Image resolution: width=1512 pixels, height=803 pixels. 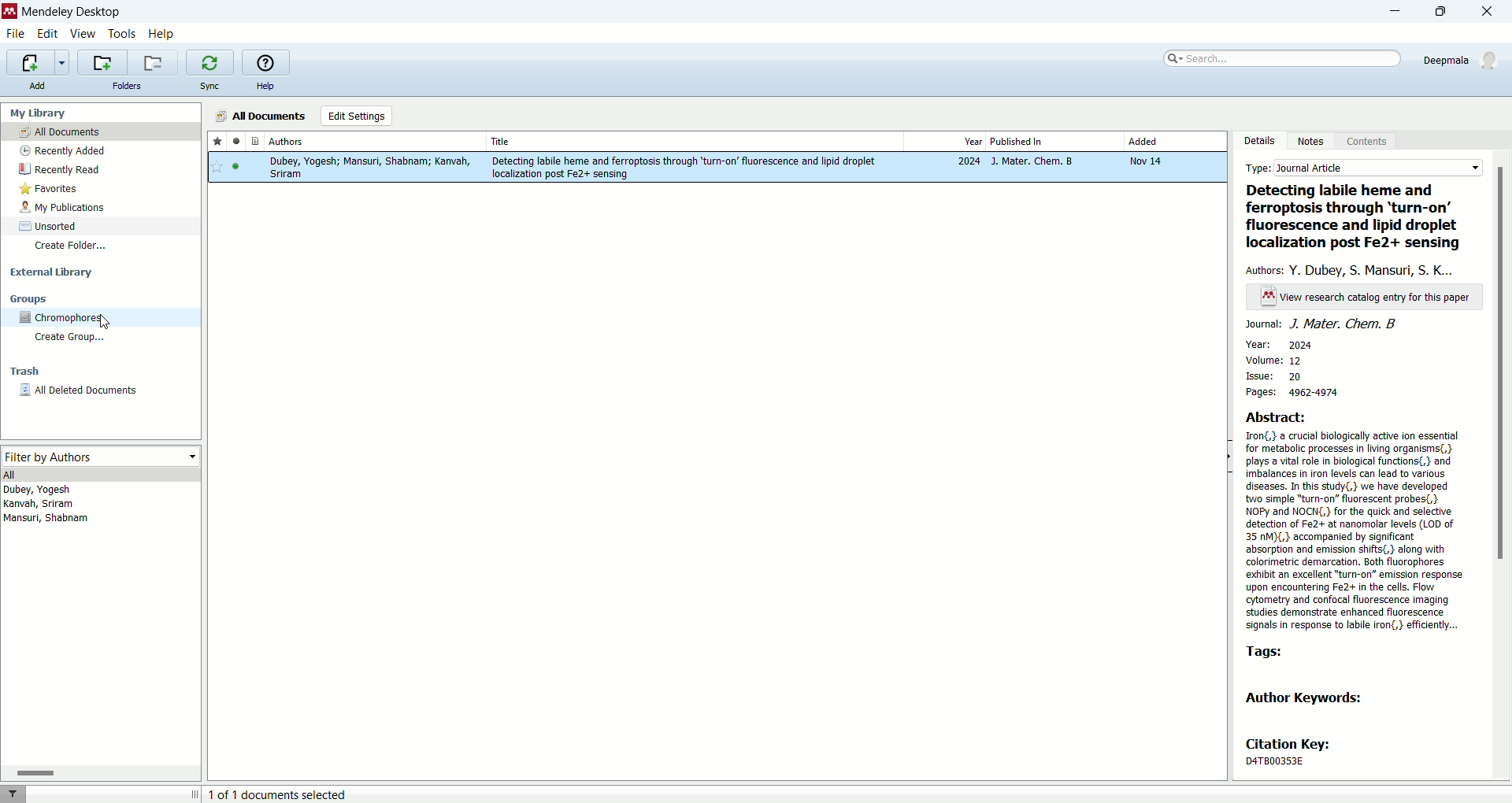 I want to click on create folder, so click(x=70, y=245).